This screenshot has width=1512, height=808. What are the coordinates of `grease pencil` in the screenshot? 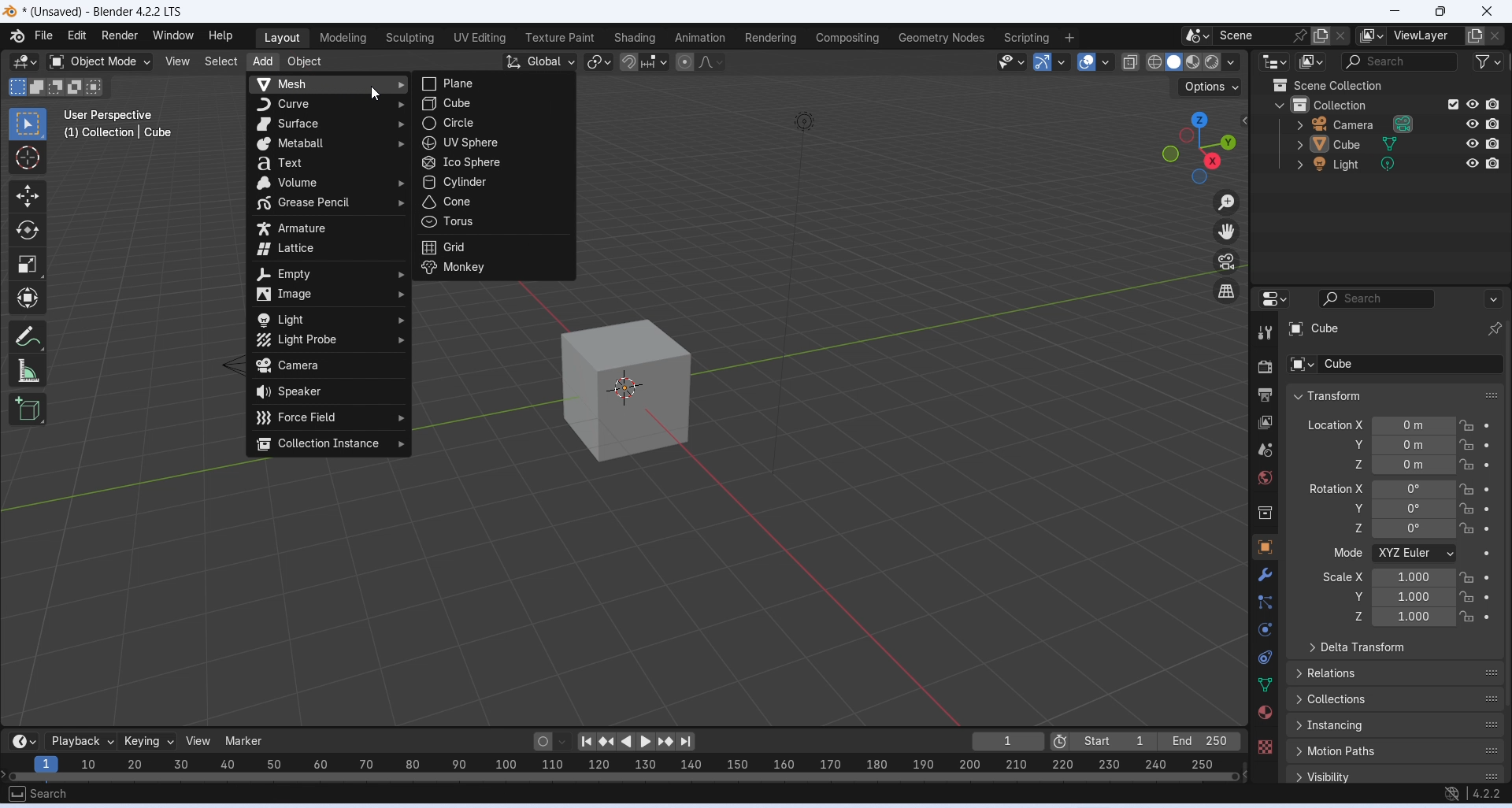 It's located at (328, 204).